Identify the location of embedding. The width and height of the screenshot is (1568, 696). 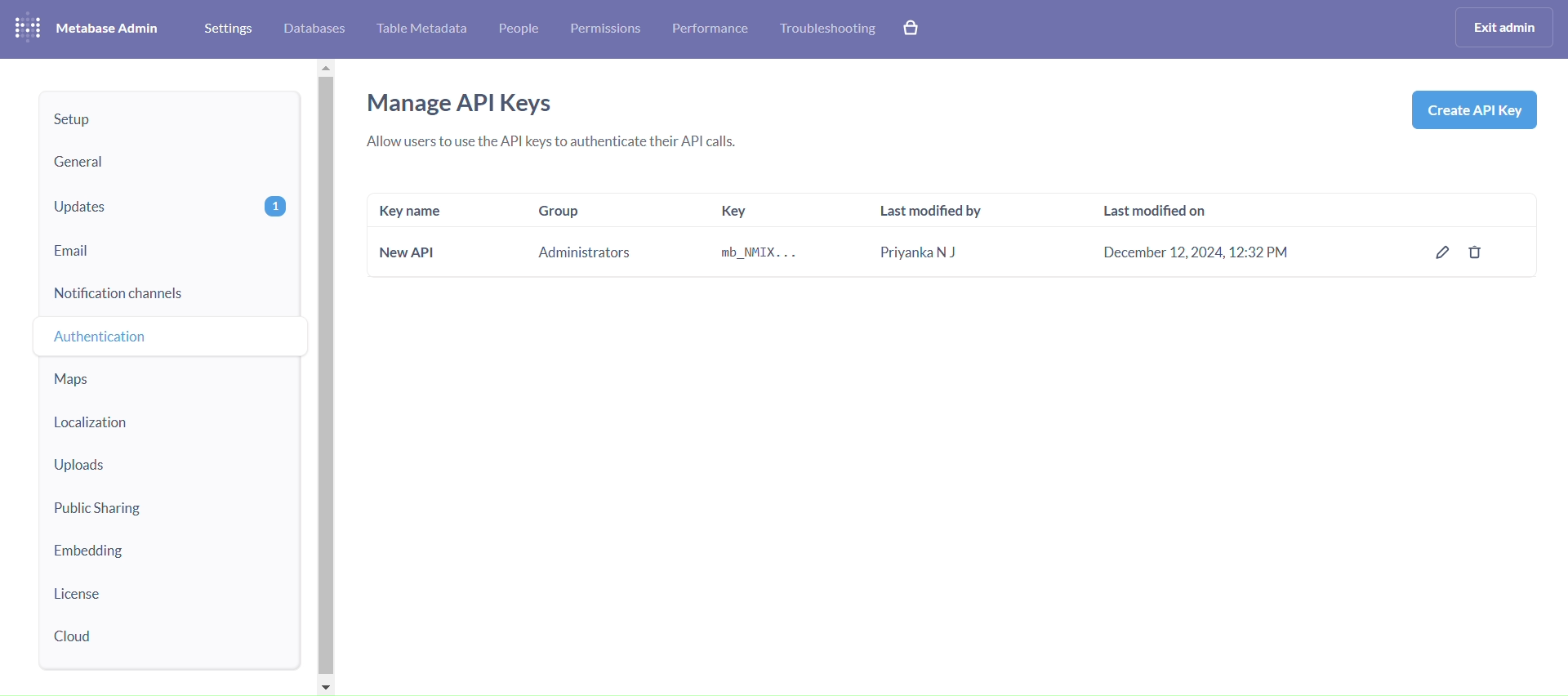
(167, 553).